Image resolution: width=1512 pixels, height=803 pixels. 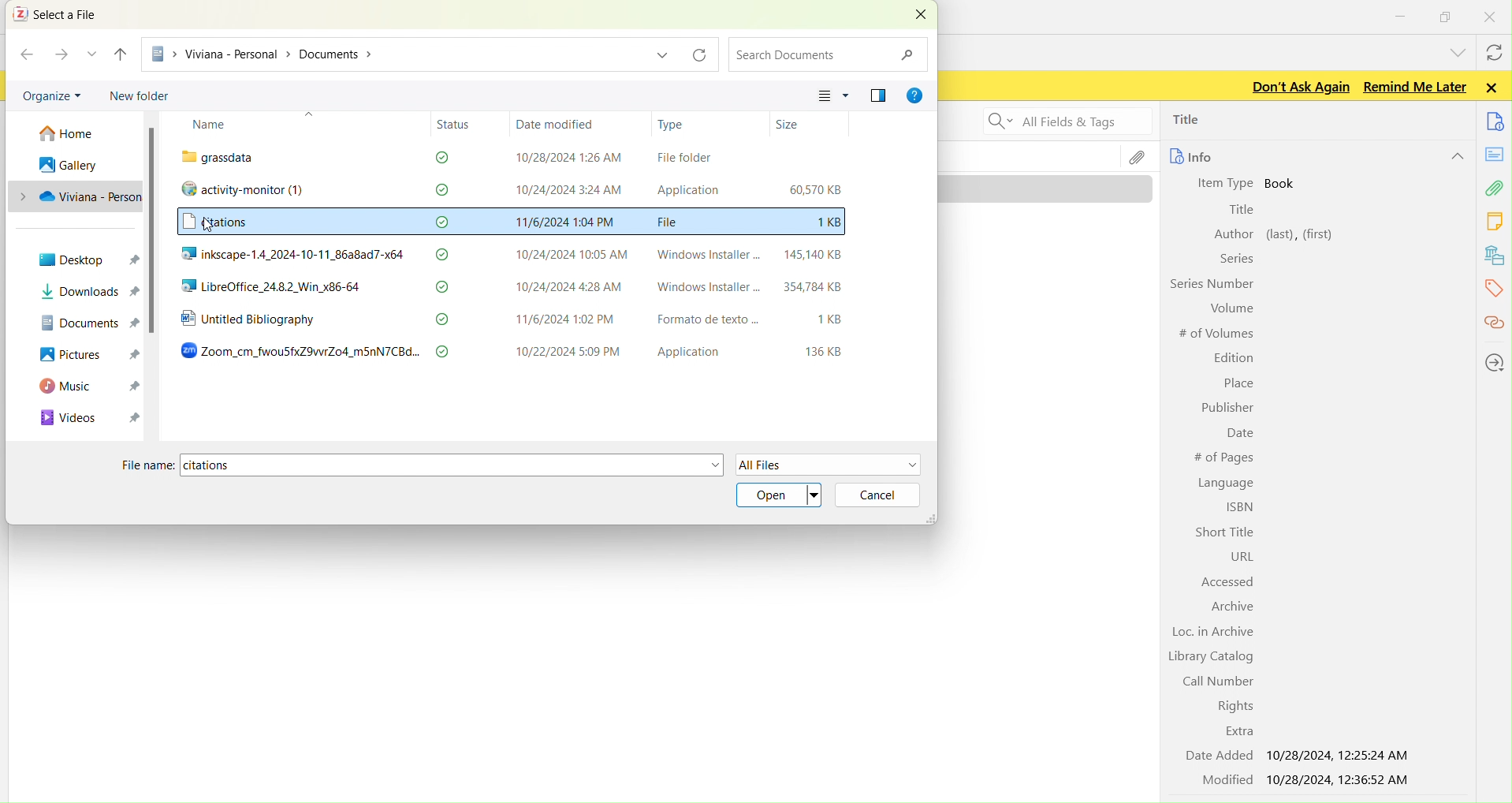 I want to click on 11/6/2024 1:02 PM, so click(x=555, y=321).